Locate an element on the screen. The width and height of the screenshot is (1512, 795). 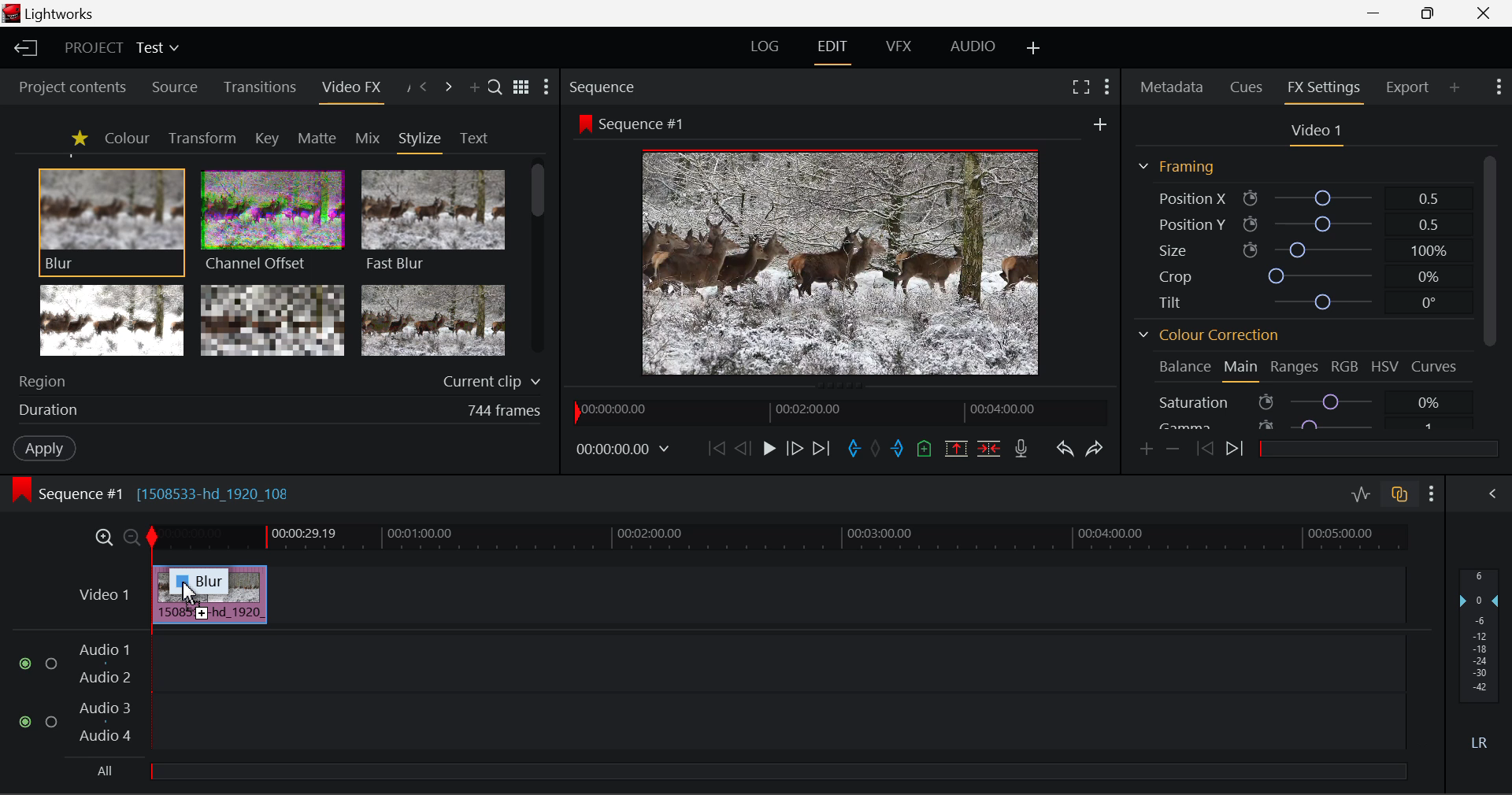
Posterize is located at coordinates (435, 321).